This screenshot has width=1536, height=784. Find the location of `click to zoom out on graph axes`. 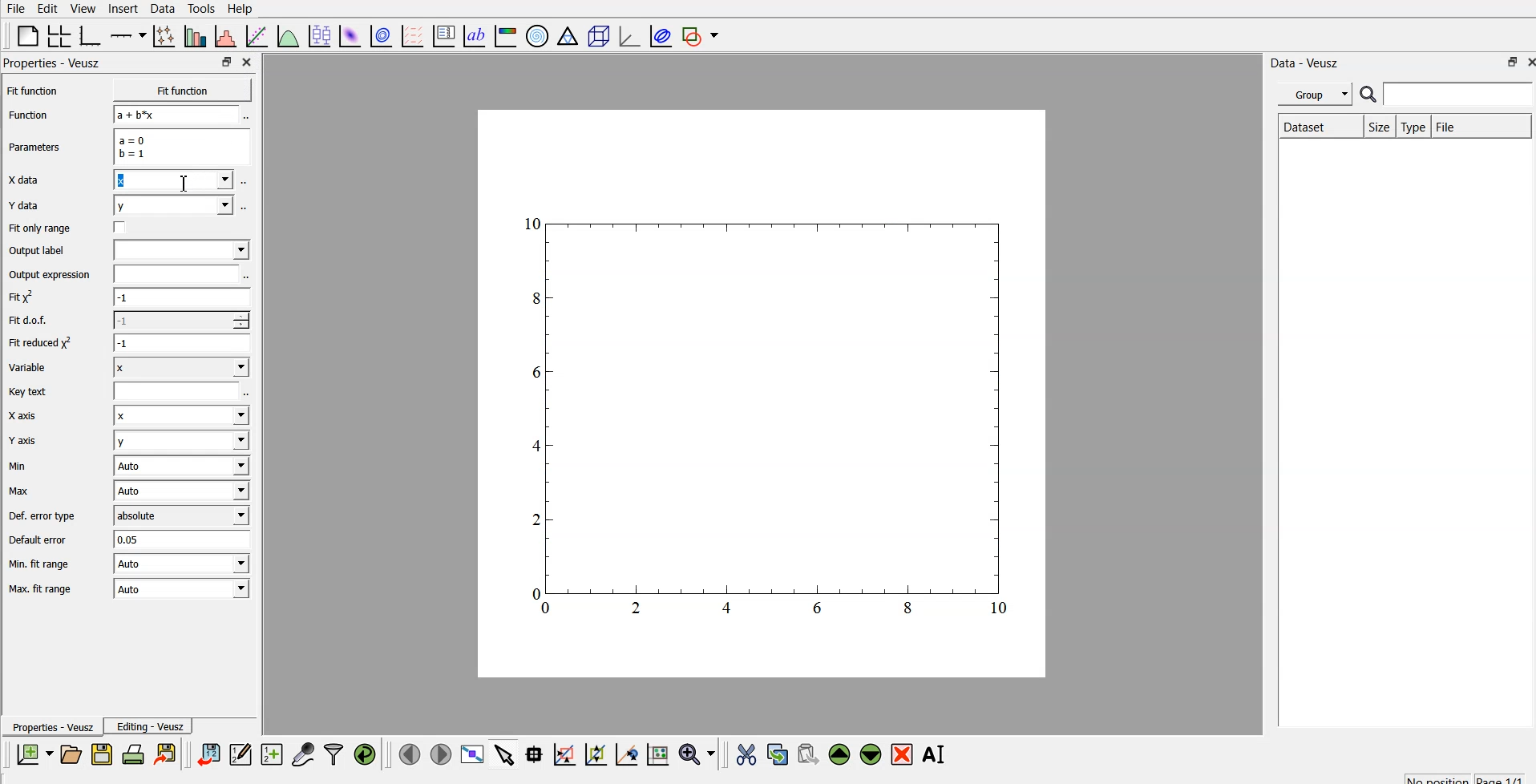

click to zoom out on graph axes is located at coordinates (596, 754).